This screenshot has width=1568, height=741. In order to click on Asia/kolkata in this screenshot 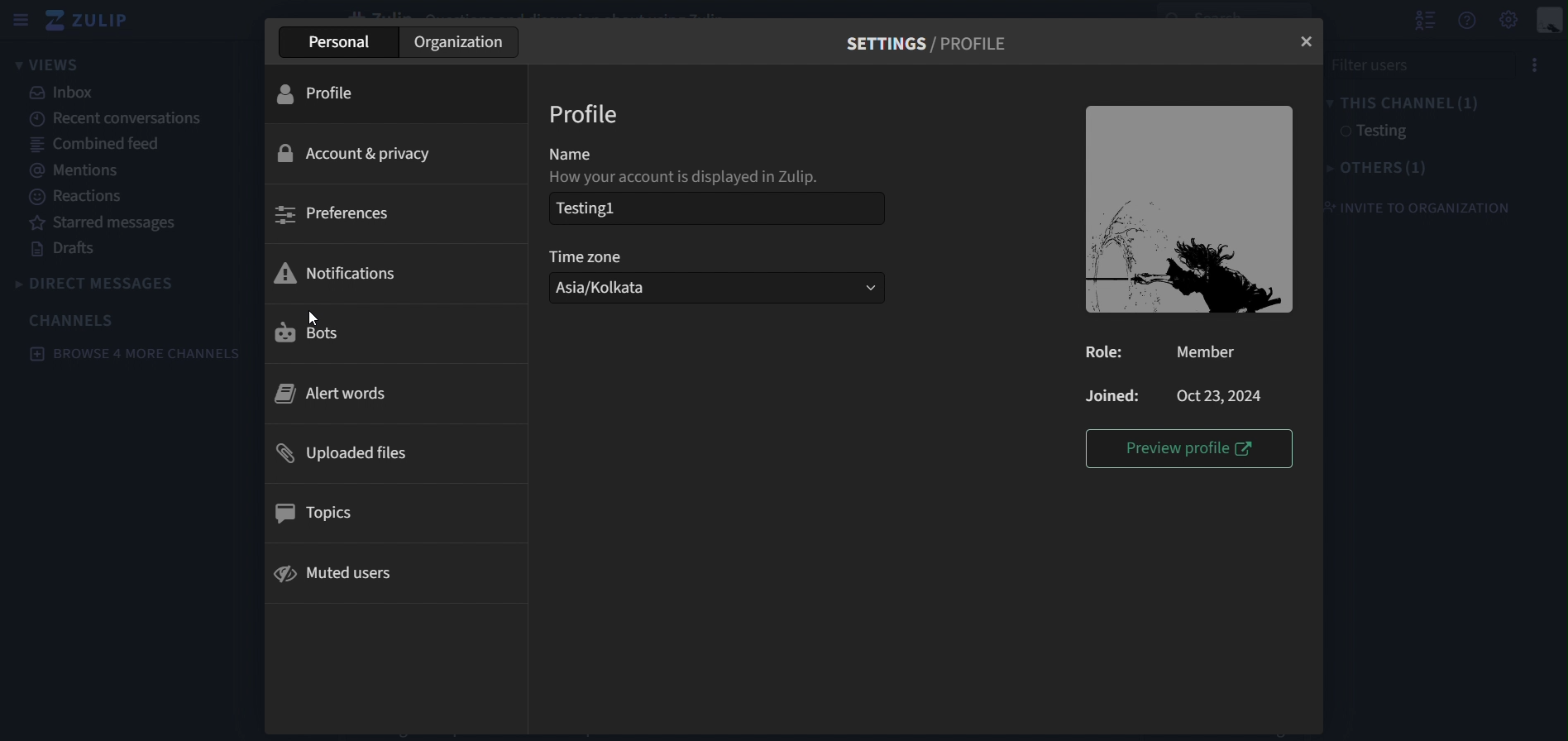, I will do `click(715, 288)`.